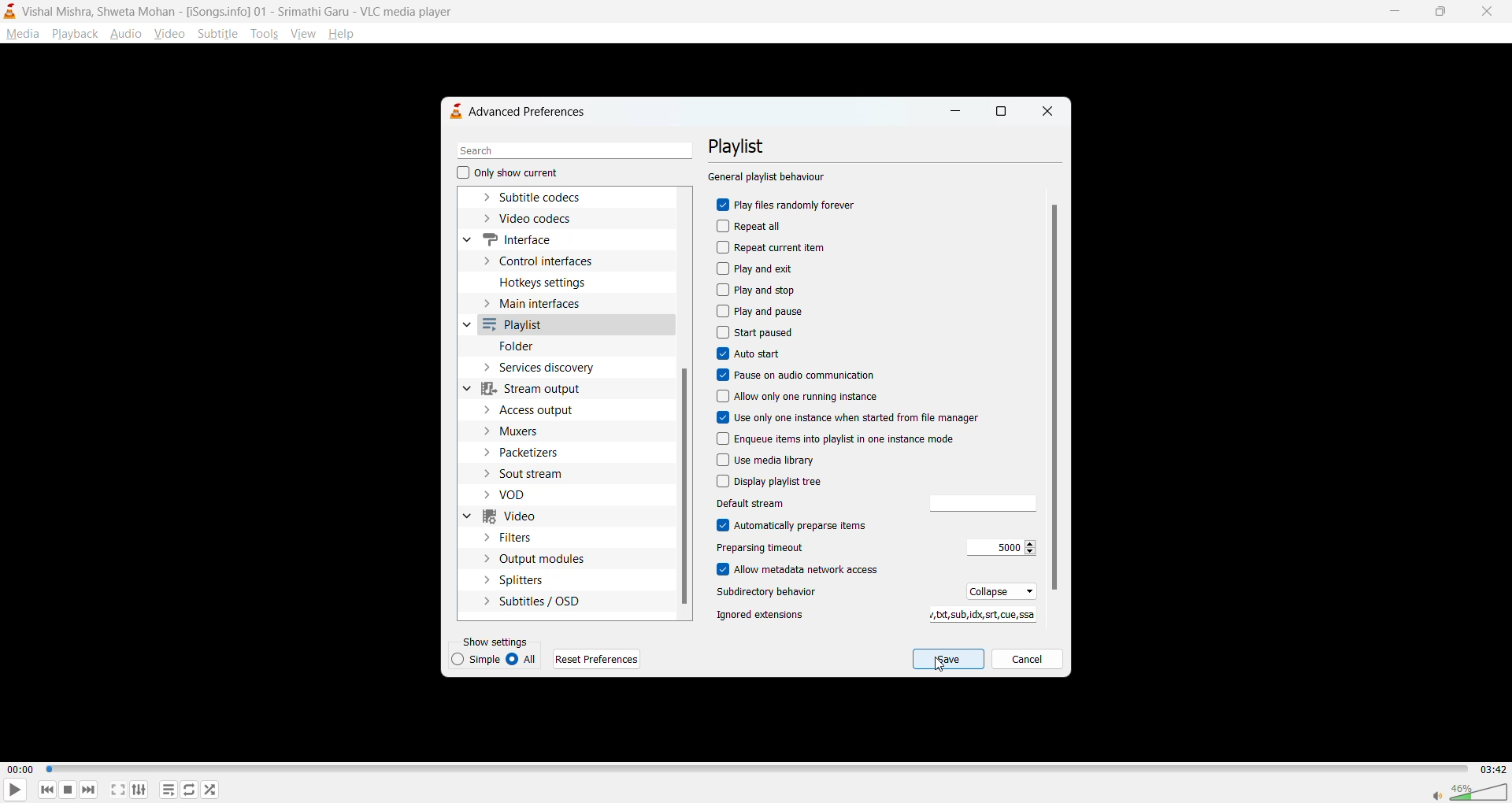 The image size is (1512, 803). Describe the element at coordinates (521, 495) in the screenshot. I see `vod` at that location.